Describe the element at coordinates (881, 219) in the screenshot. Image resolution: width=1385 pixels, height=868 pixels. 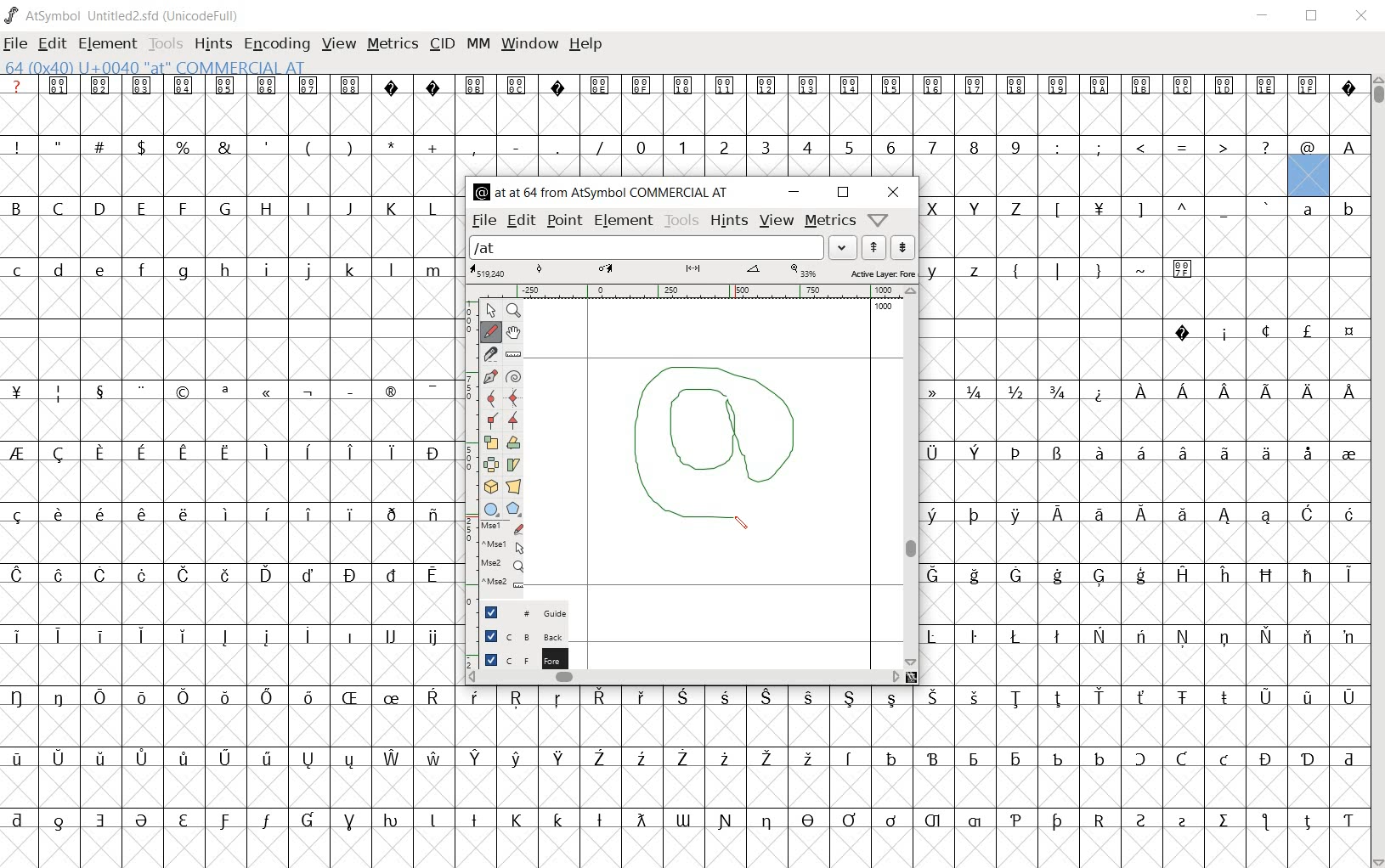
I see `help/window` at that location.